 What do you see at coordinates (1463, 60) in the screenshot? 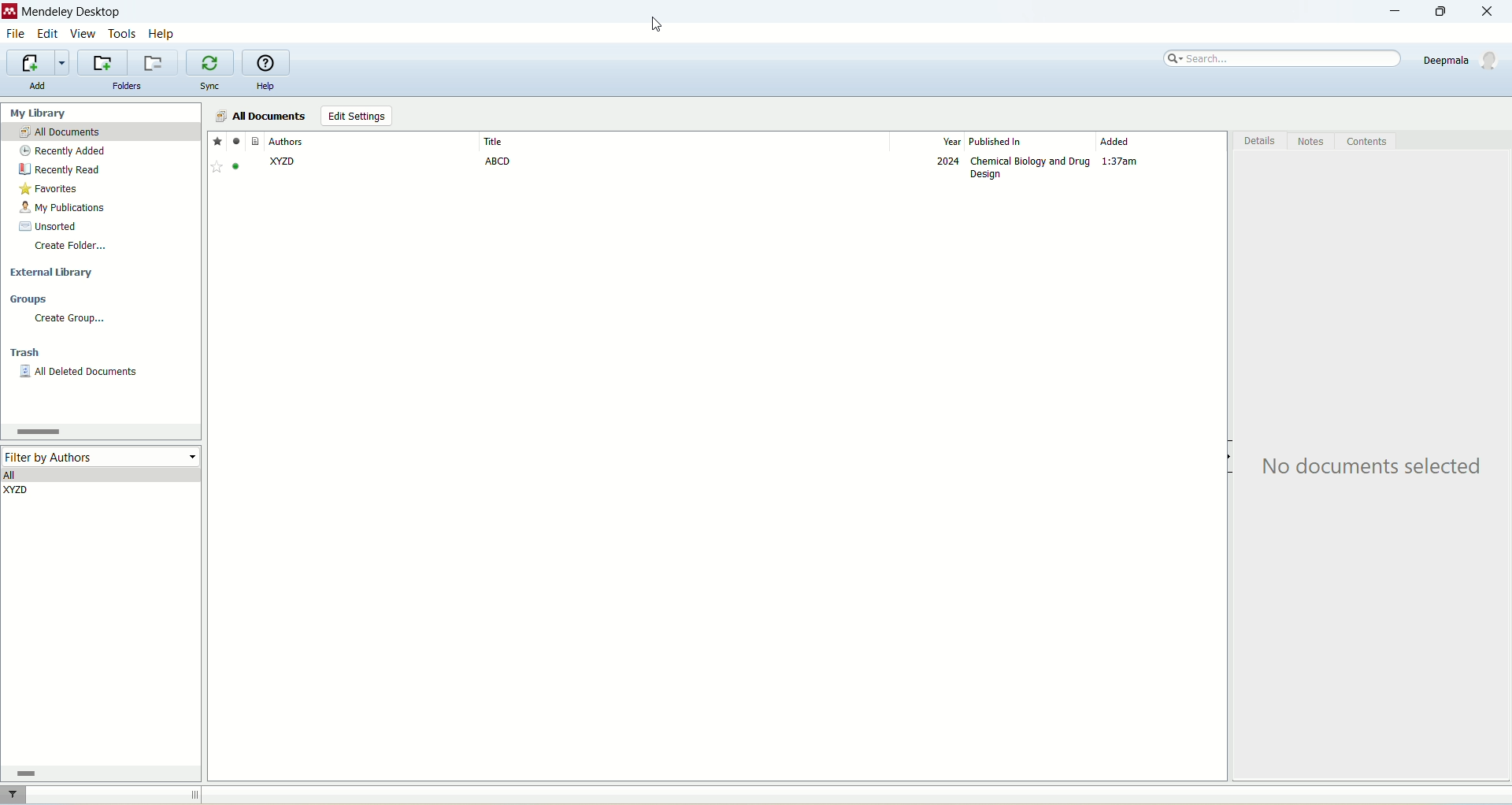
I see `account` at bounding box center [1463, 60].